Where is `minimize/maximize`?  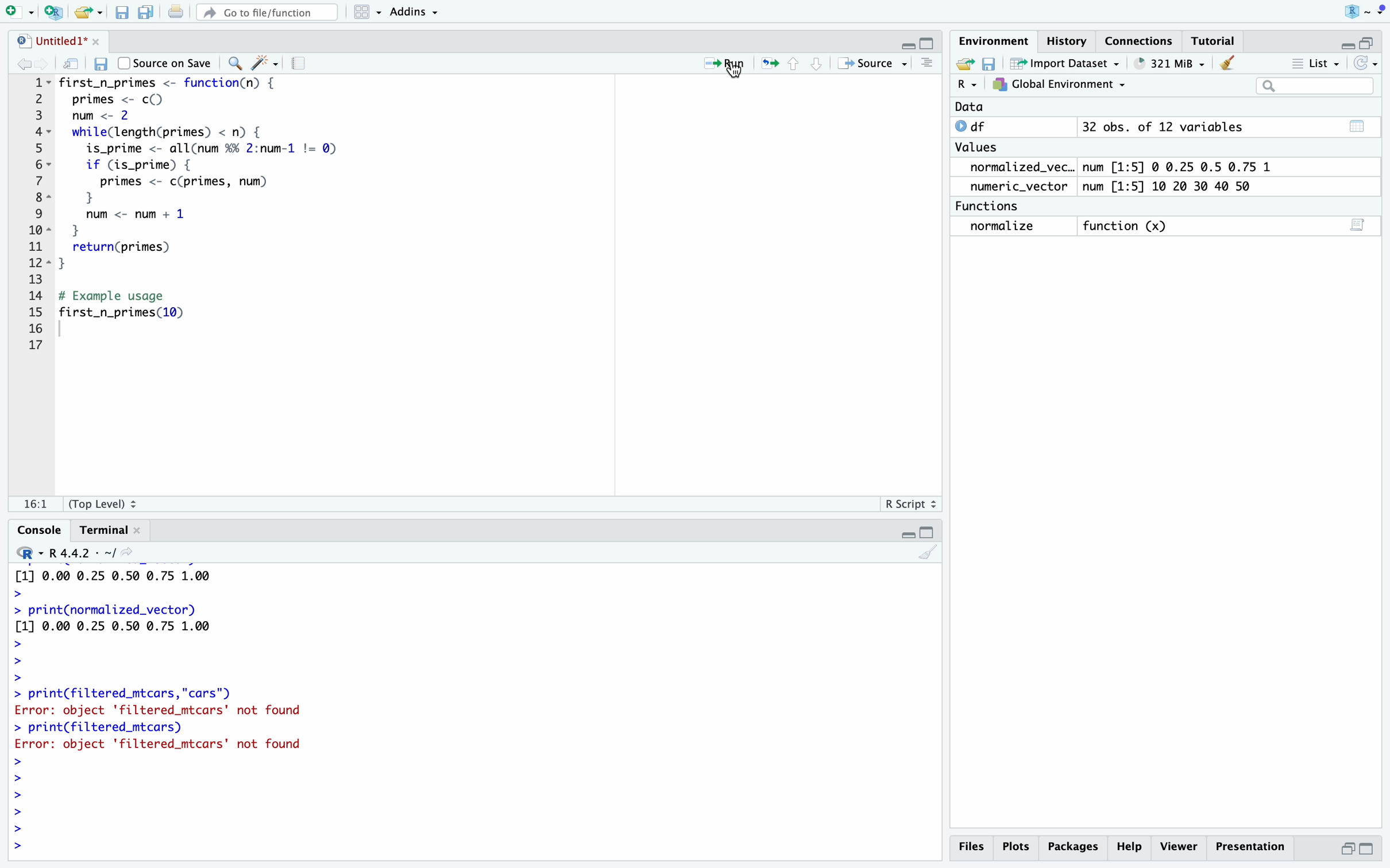 minimize/maximize is located at coordinates (1350, 41).